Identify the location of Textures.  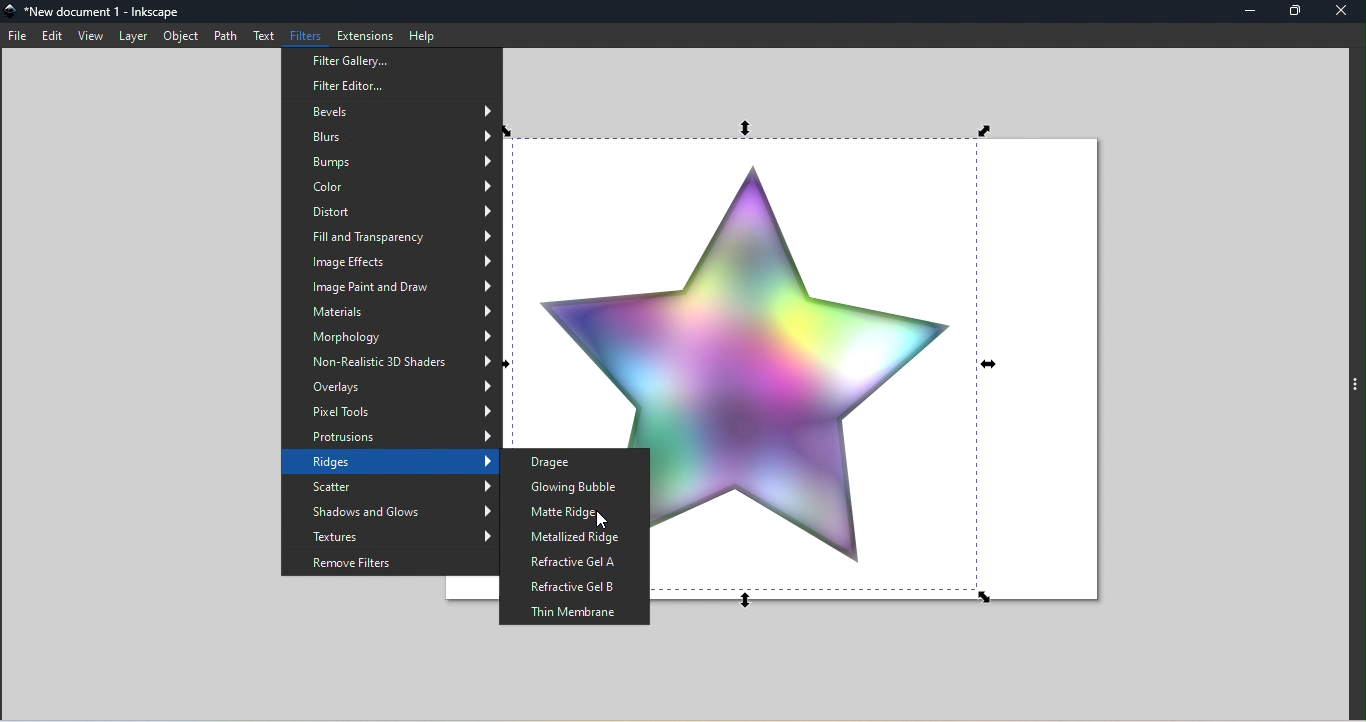
(392, 537).